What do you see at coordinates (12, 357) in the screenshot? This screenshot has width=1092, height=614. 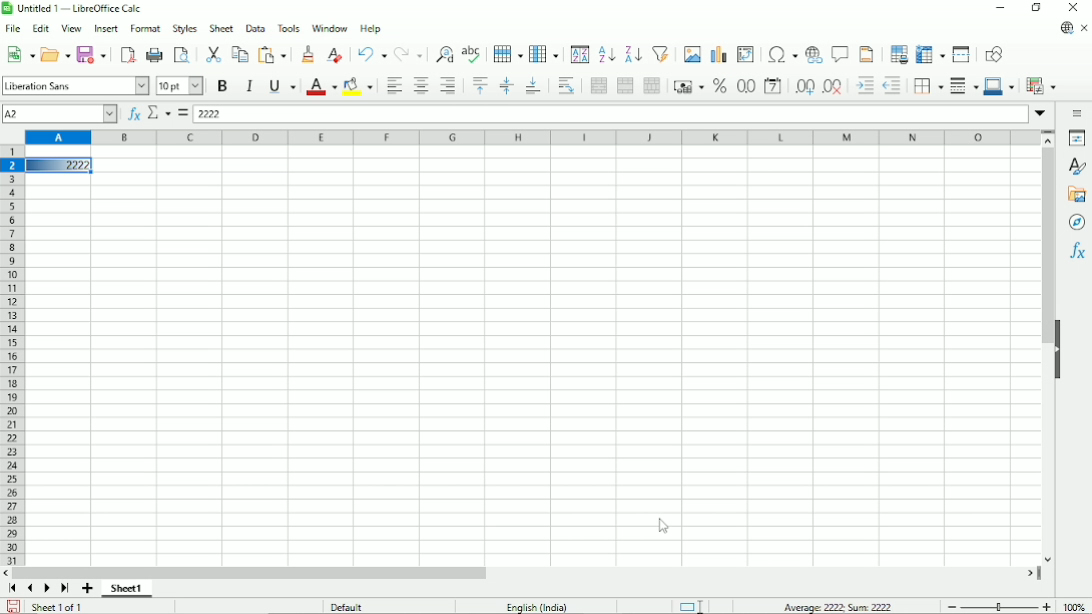 I see `Row headings ` at bounding box center [12, 357].